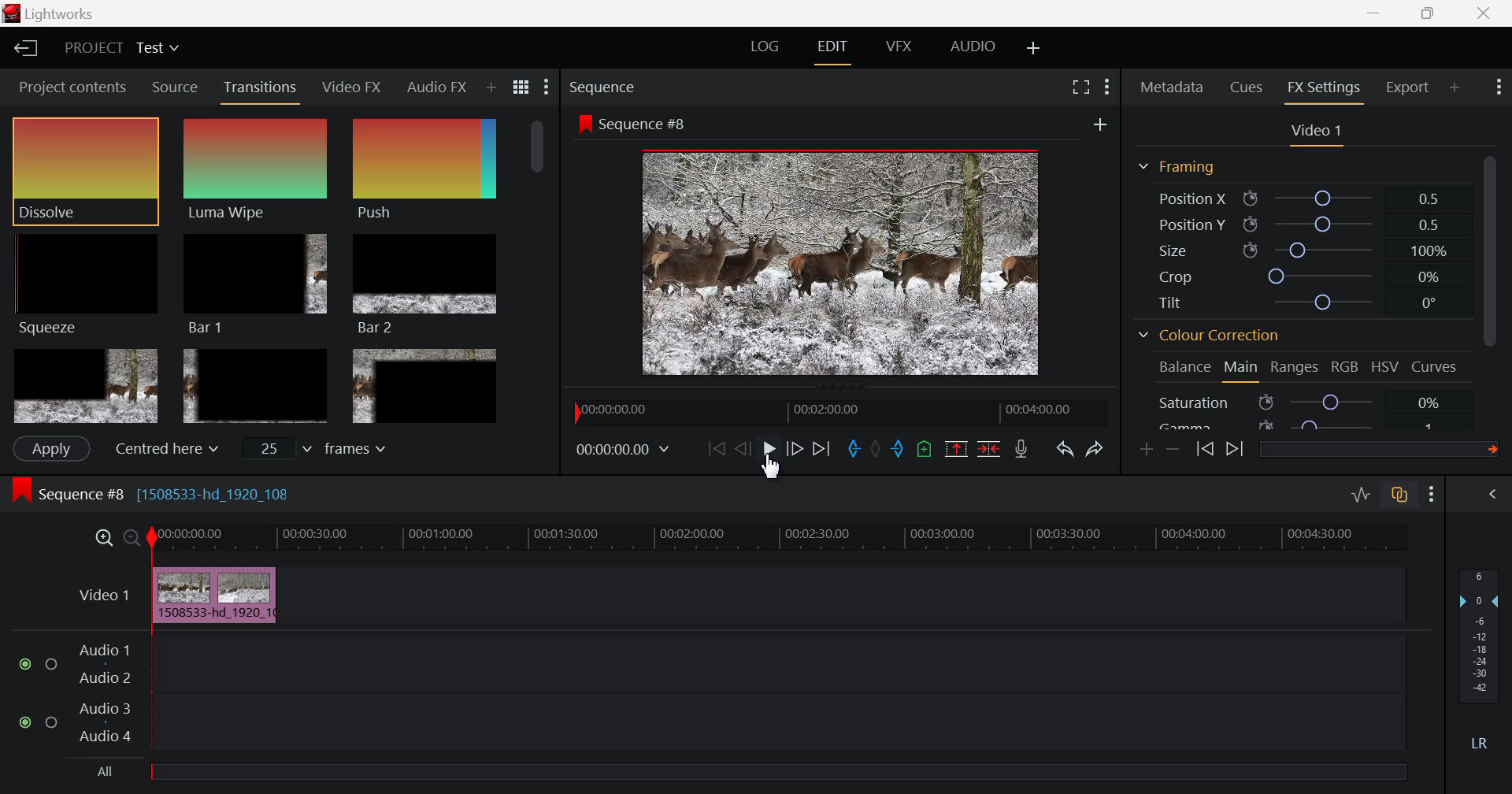  I want to click on Go Forward, so click(795, 451).